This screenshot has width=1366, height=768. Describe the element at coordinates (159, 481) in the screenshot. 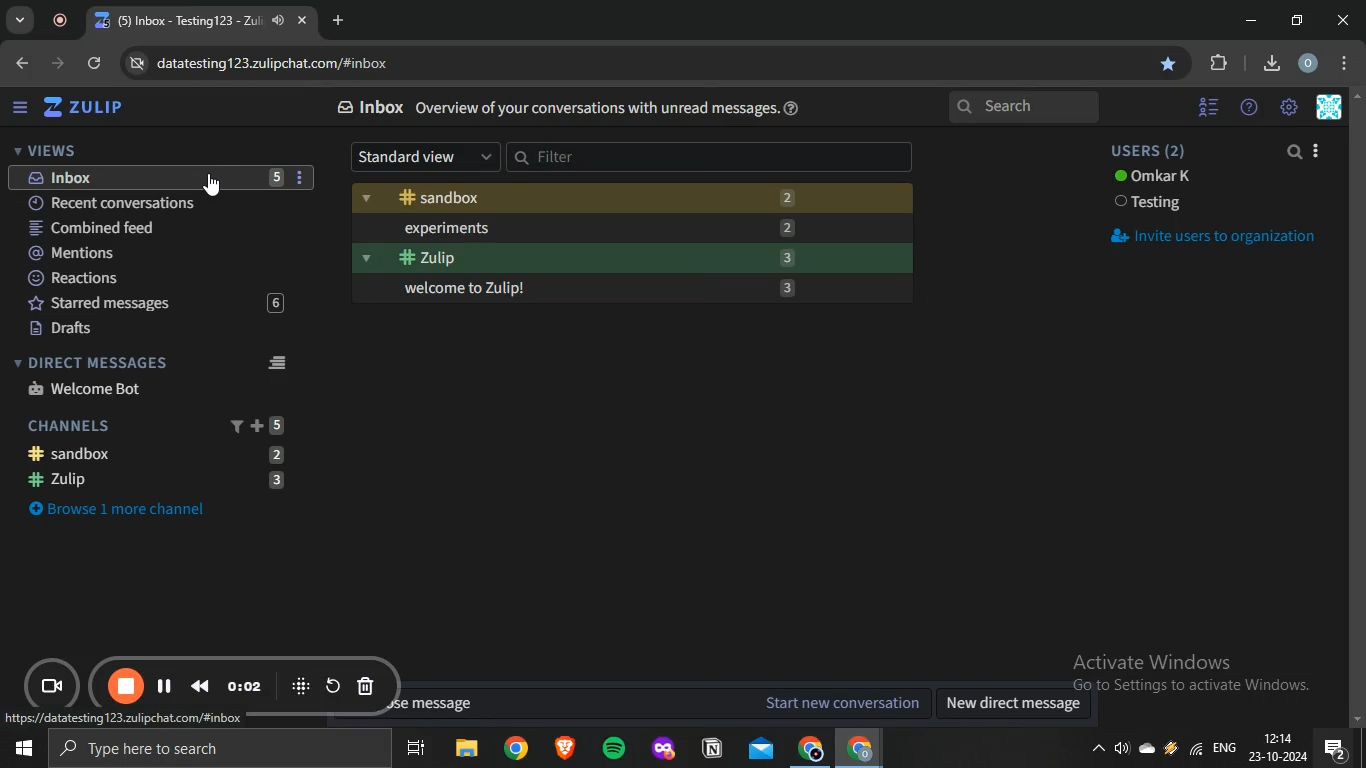

I see `zulip` at that location.